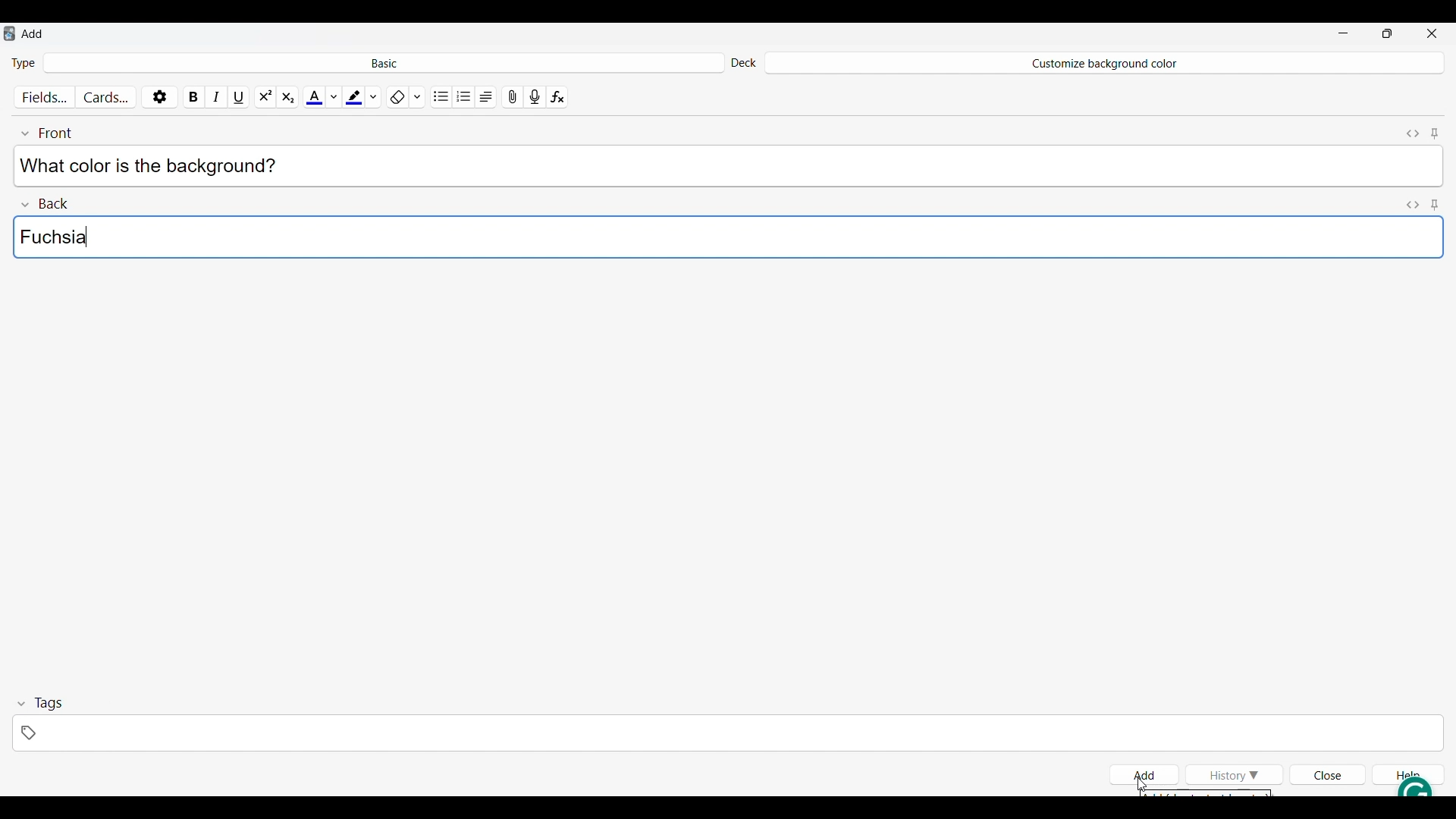 This screenshot has height=819, width=1456. I want to click on Bold, so click(194, 94).